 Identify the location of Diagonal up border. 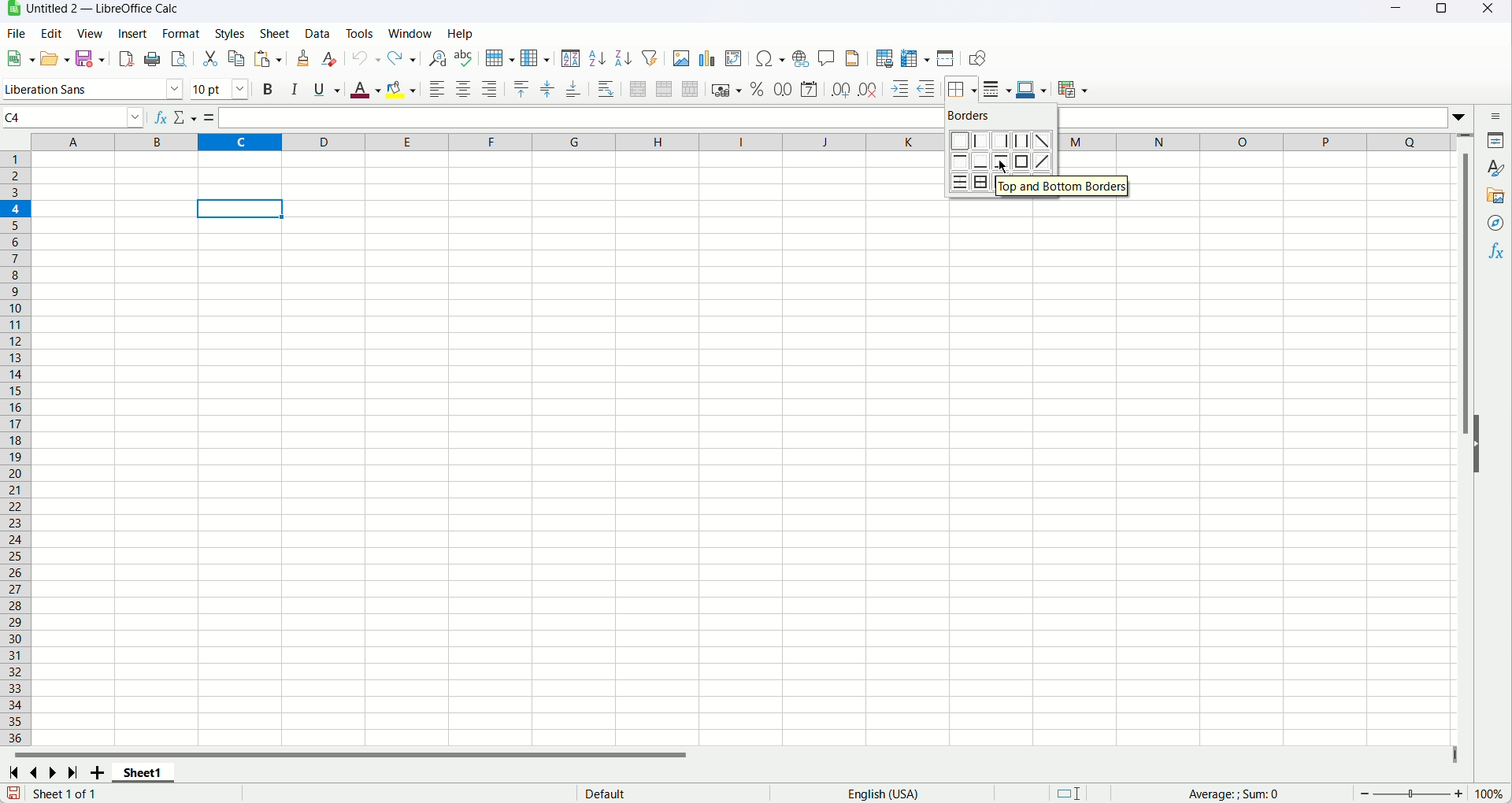
(1043, 161).